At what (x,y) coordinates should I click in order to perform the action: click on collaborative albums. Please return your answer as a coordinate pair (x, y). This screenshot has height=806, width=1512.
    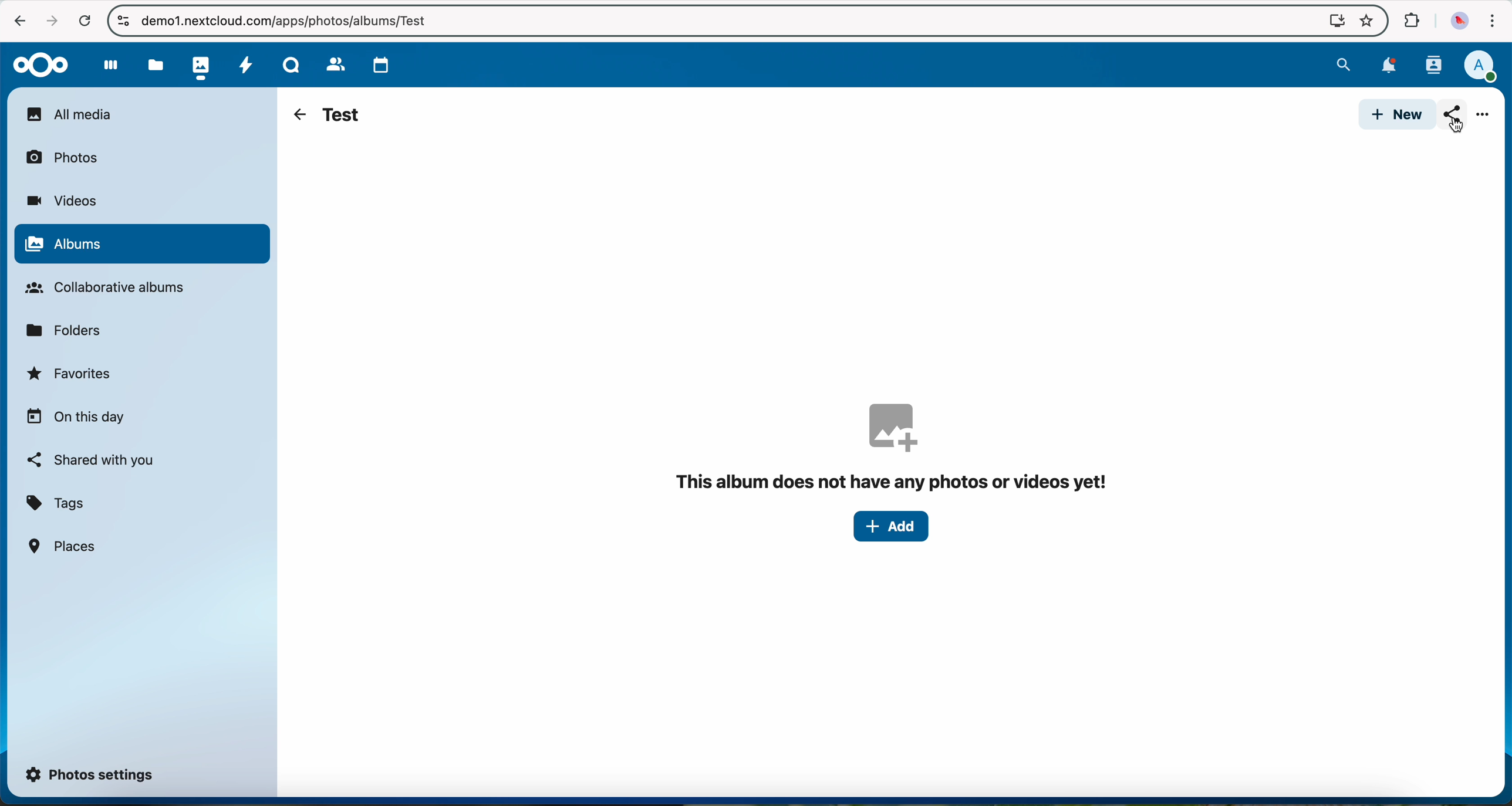
    Looking at the image, I should click on (112, 288).